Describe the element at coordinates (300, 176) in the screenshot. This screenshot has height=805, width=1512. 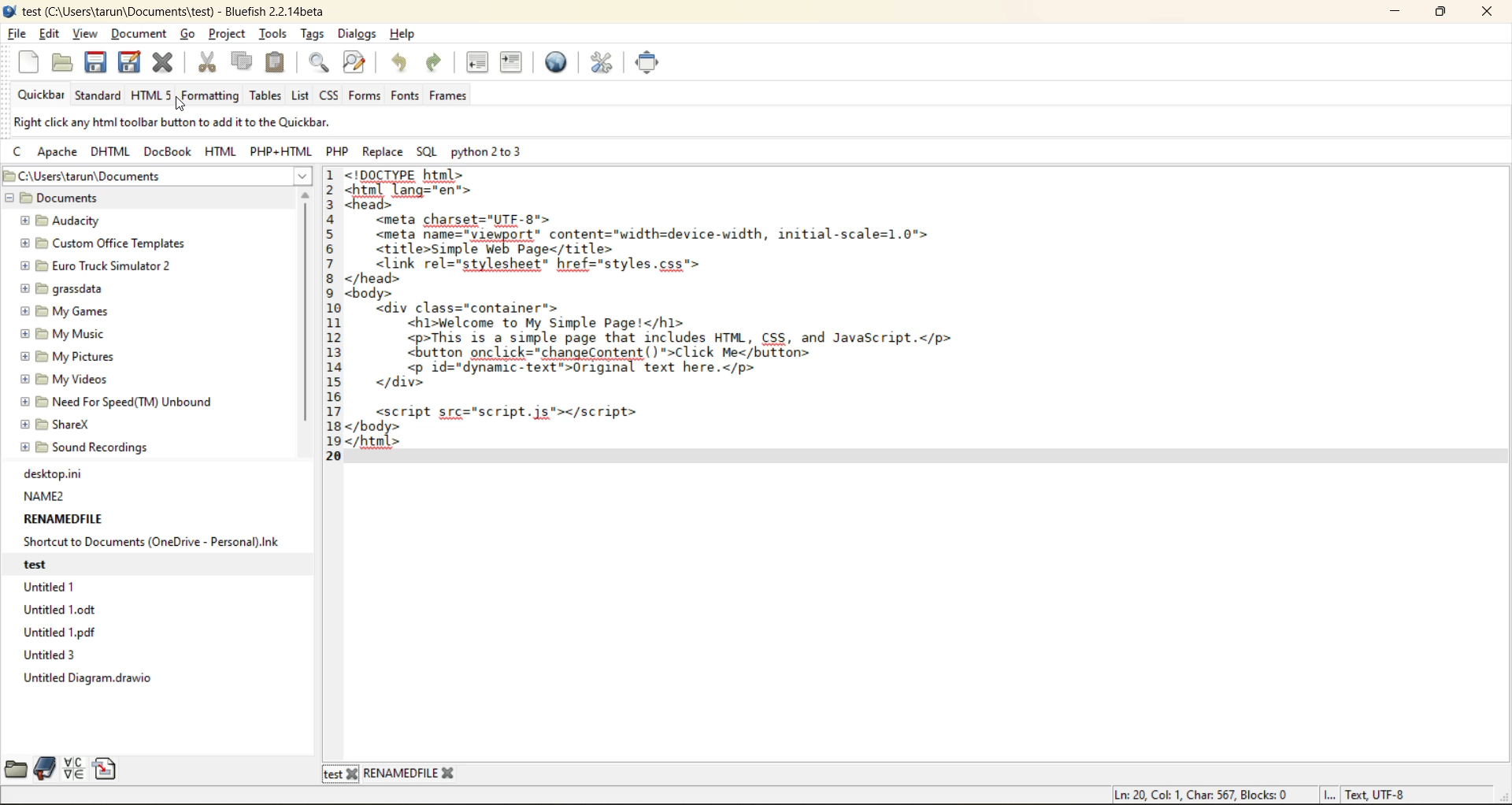
I see `show more` at that location.